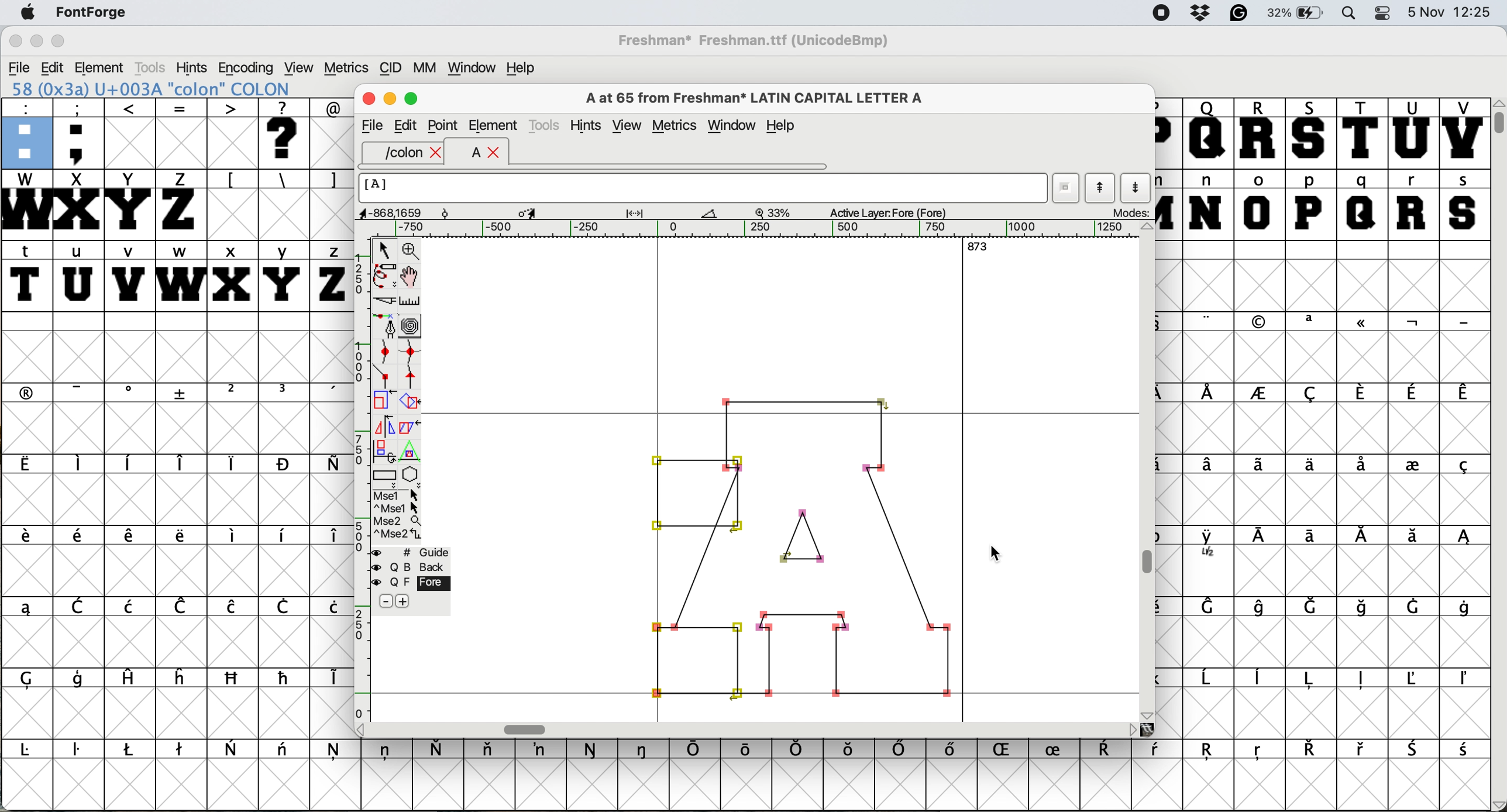 This screenshot has width=1507, height=812. Describe the element at coordinates (26, 607) in the screenshot. I see `symbol` at that location.